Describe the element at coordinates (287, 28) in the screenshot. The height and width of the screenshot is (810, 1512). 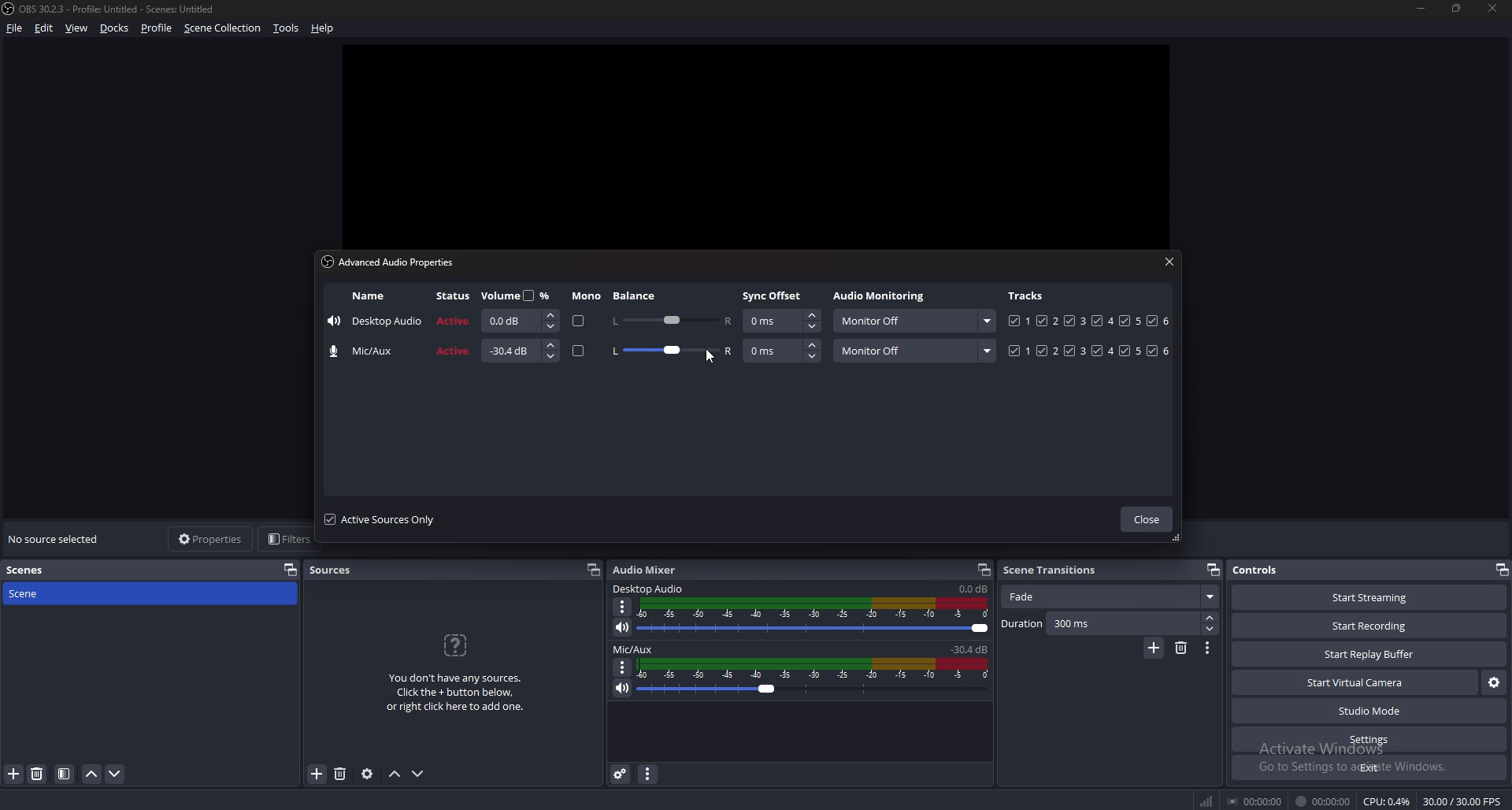
I see `tools` at that location.